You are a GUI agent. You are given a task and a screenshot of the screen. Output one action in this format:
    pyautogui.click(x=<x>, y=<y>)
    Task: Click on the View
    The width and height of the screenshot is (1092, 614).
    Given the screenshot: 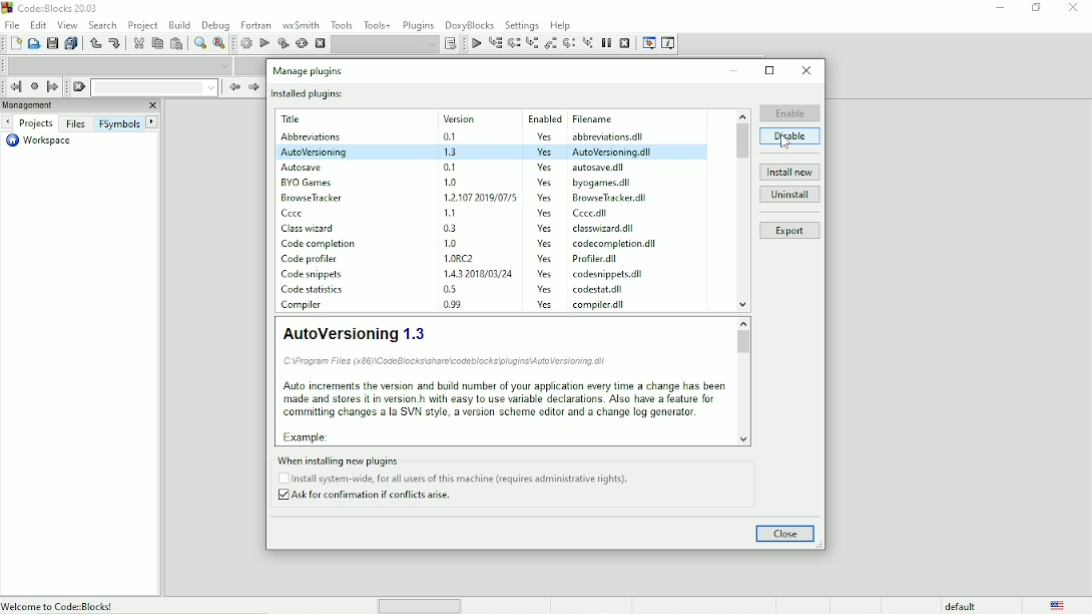 What is the action you would take?
    pyautogui.click(x=67, y=25)
    